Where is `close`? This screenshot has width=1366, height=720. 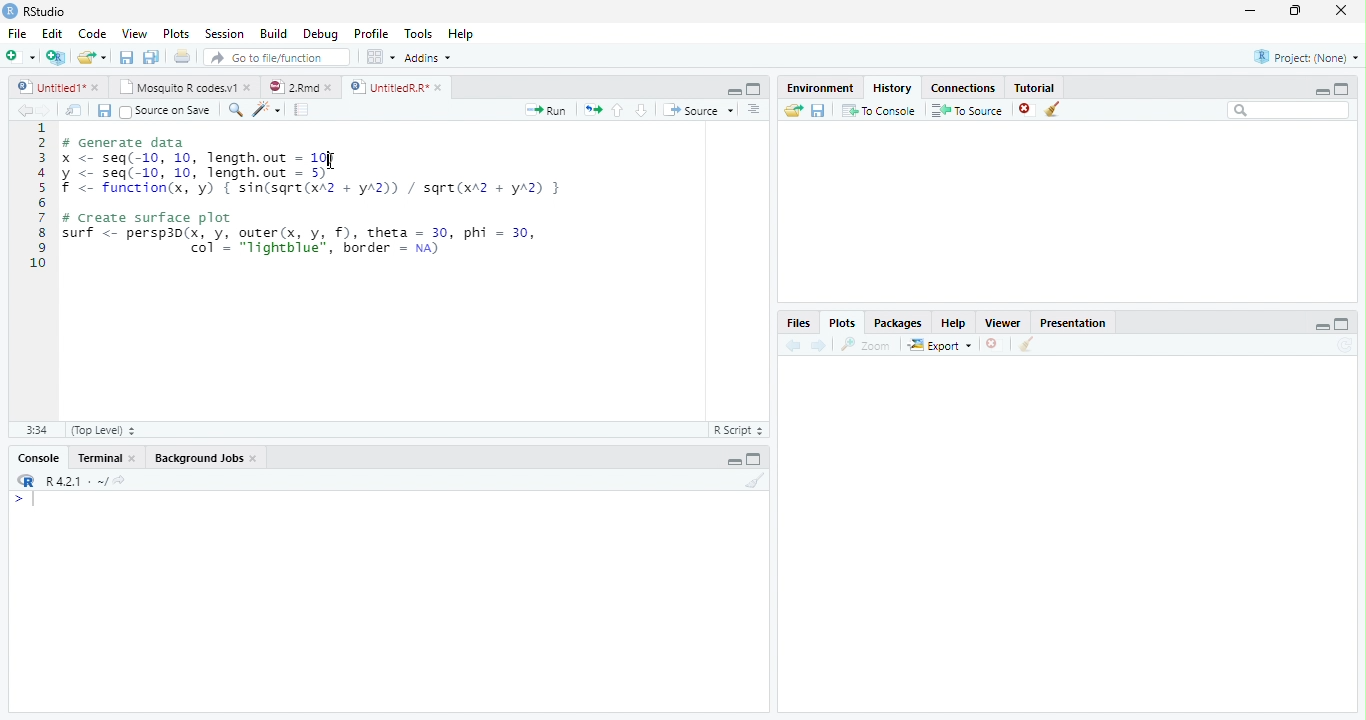 close is located at coordinates (329, 88).